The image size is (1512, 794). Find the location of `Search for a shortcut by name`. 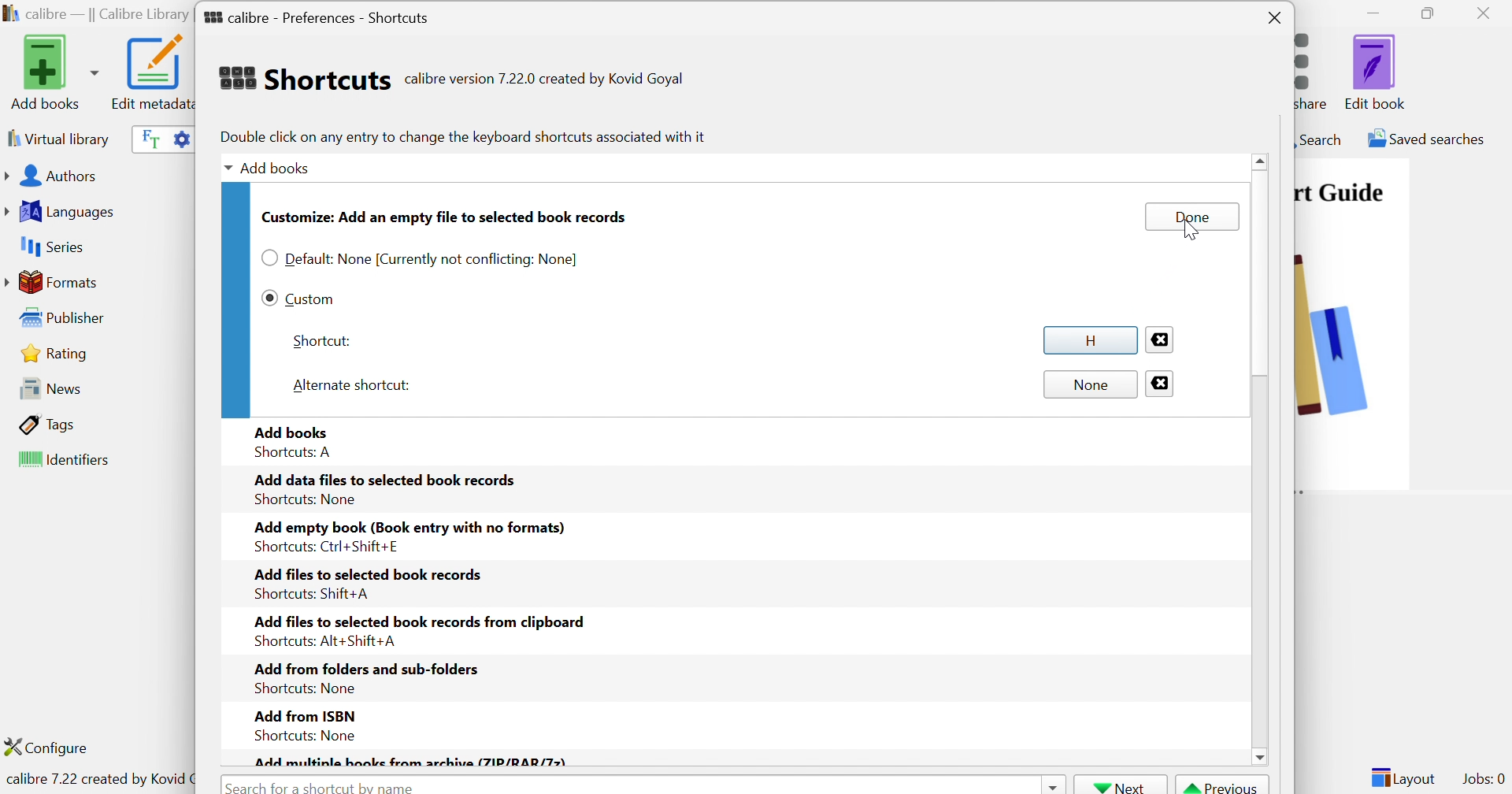

Search for a shortcut by name is located at coordinates (324, 785).